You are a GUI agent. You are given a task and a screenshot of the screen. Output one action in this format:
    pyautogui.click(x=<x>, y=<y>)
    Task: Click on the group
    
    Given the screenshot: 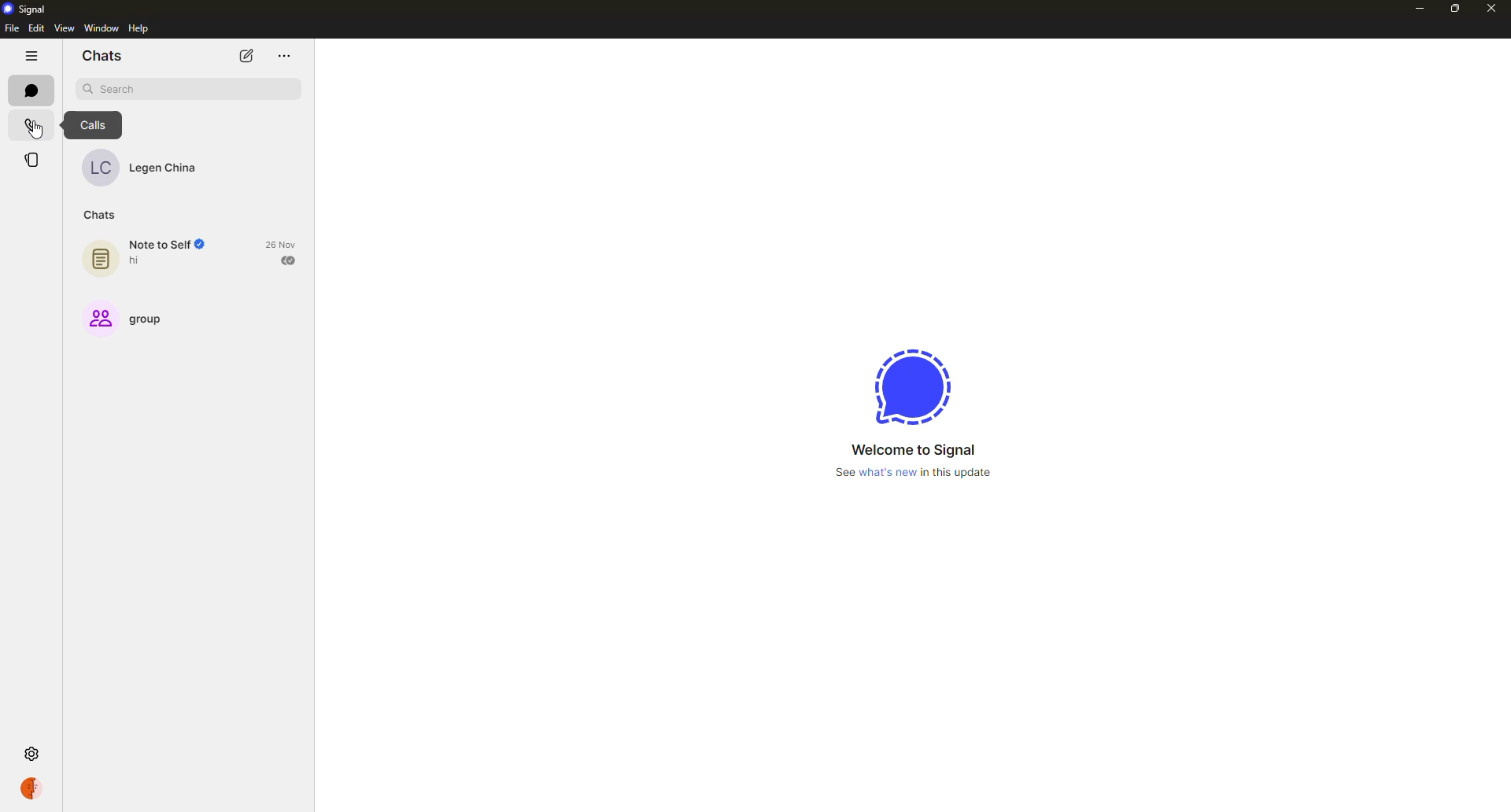 What is the action you would take?
    pyautogui.click(x=134, y=316)
    